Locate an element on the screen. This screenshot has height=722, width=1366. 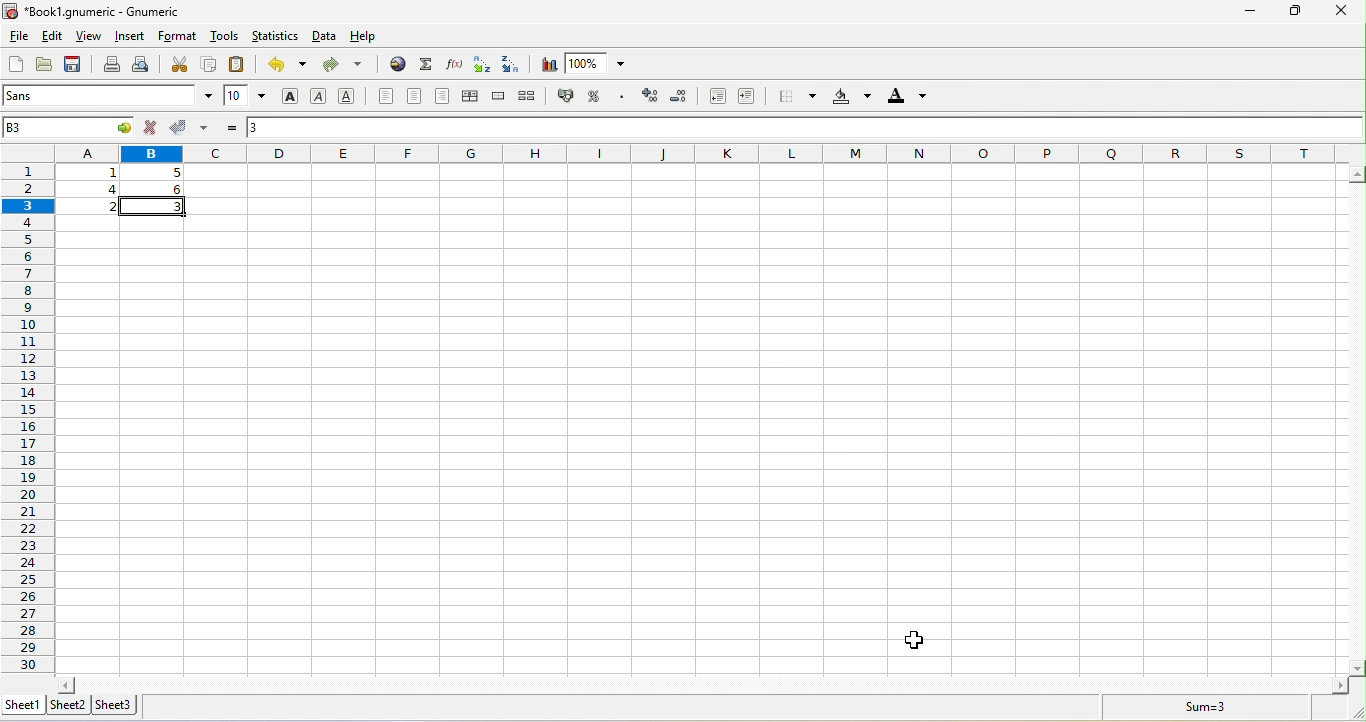
percentage is located at coordinates (598, 97).